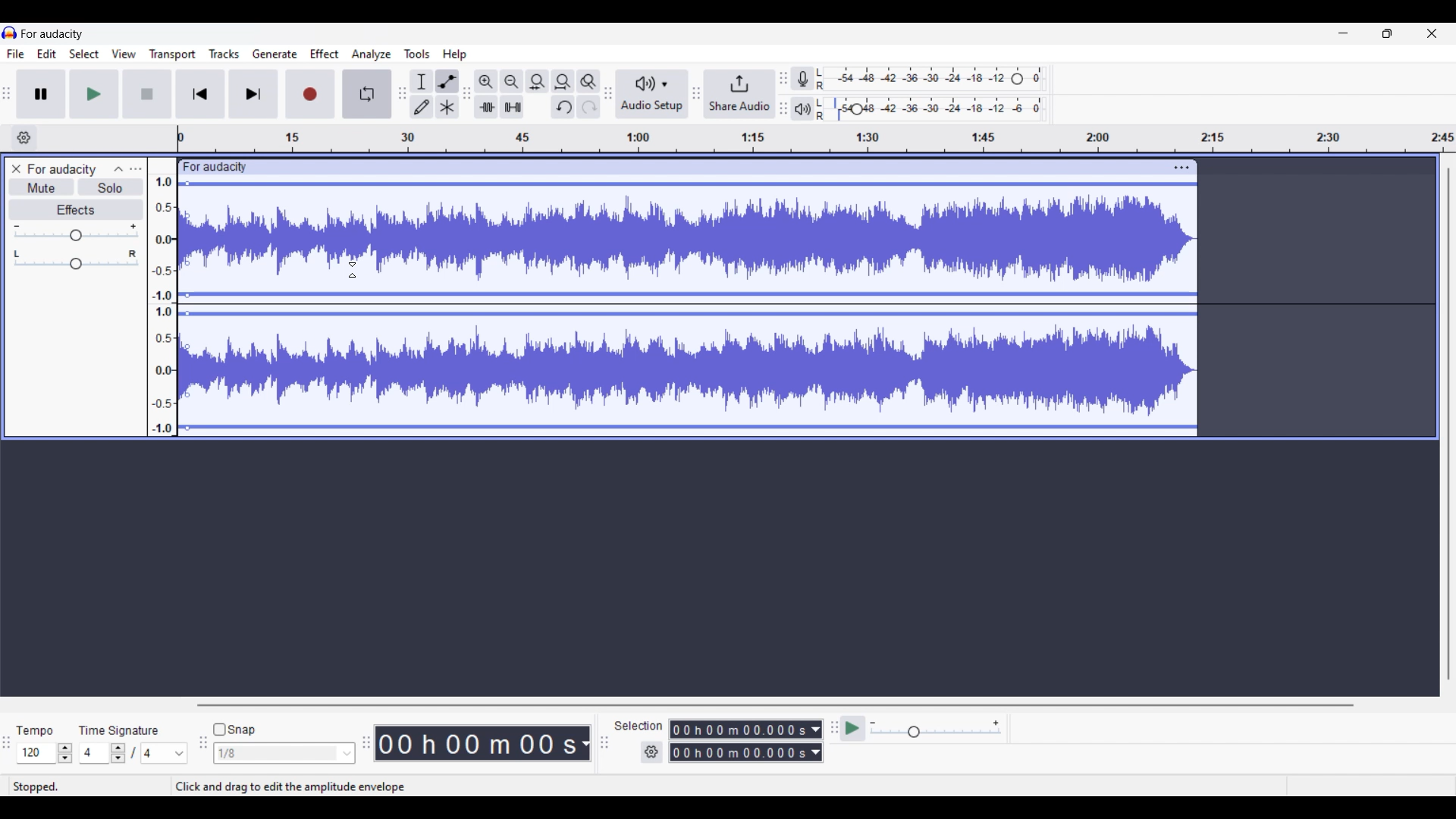  Describe the element at coordinates (25, 138) in the screenshot. I see `Timeline options` at that location.